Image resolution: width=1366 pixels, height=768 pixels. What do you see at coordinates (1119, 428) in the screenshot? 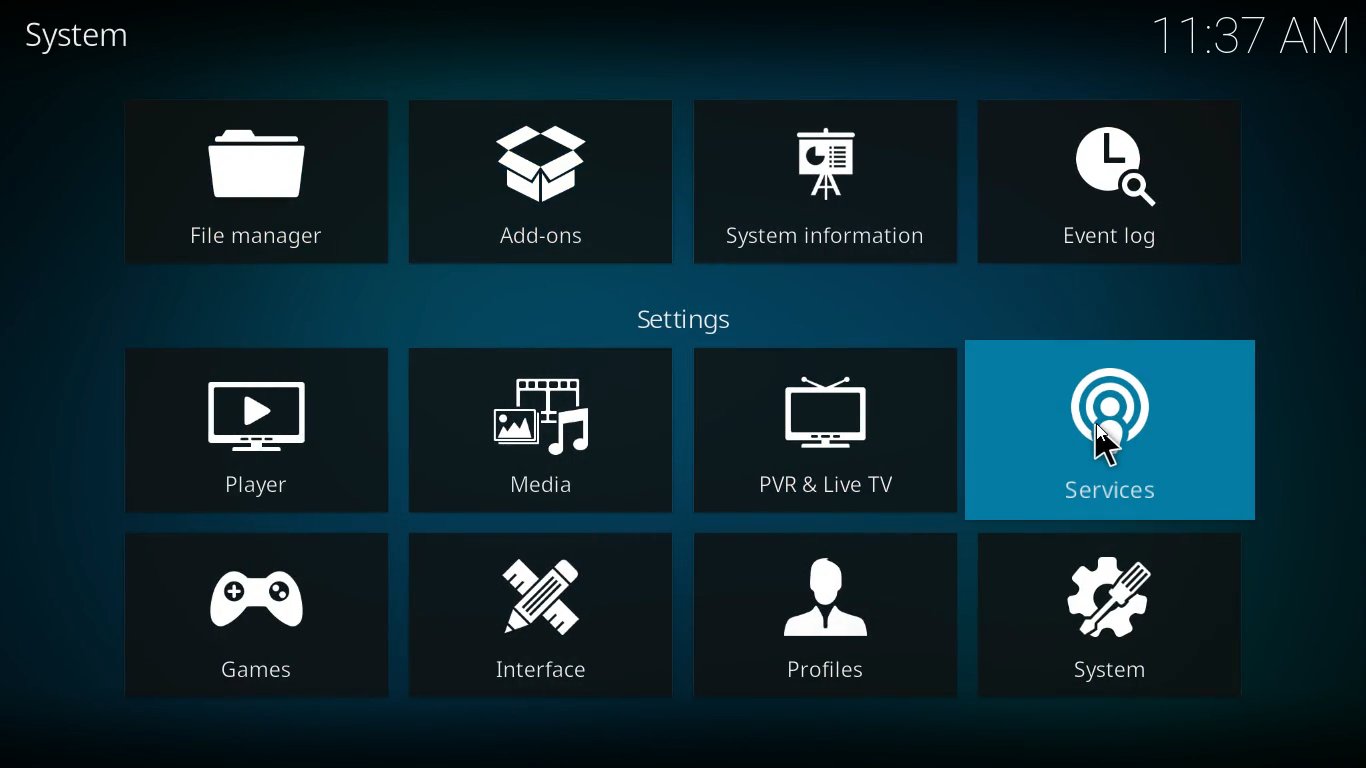
I see `services` at bounding box center [1119, 428].